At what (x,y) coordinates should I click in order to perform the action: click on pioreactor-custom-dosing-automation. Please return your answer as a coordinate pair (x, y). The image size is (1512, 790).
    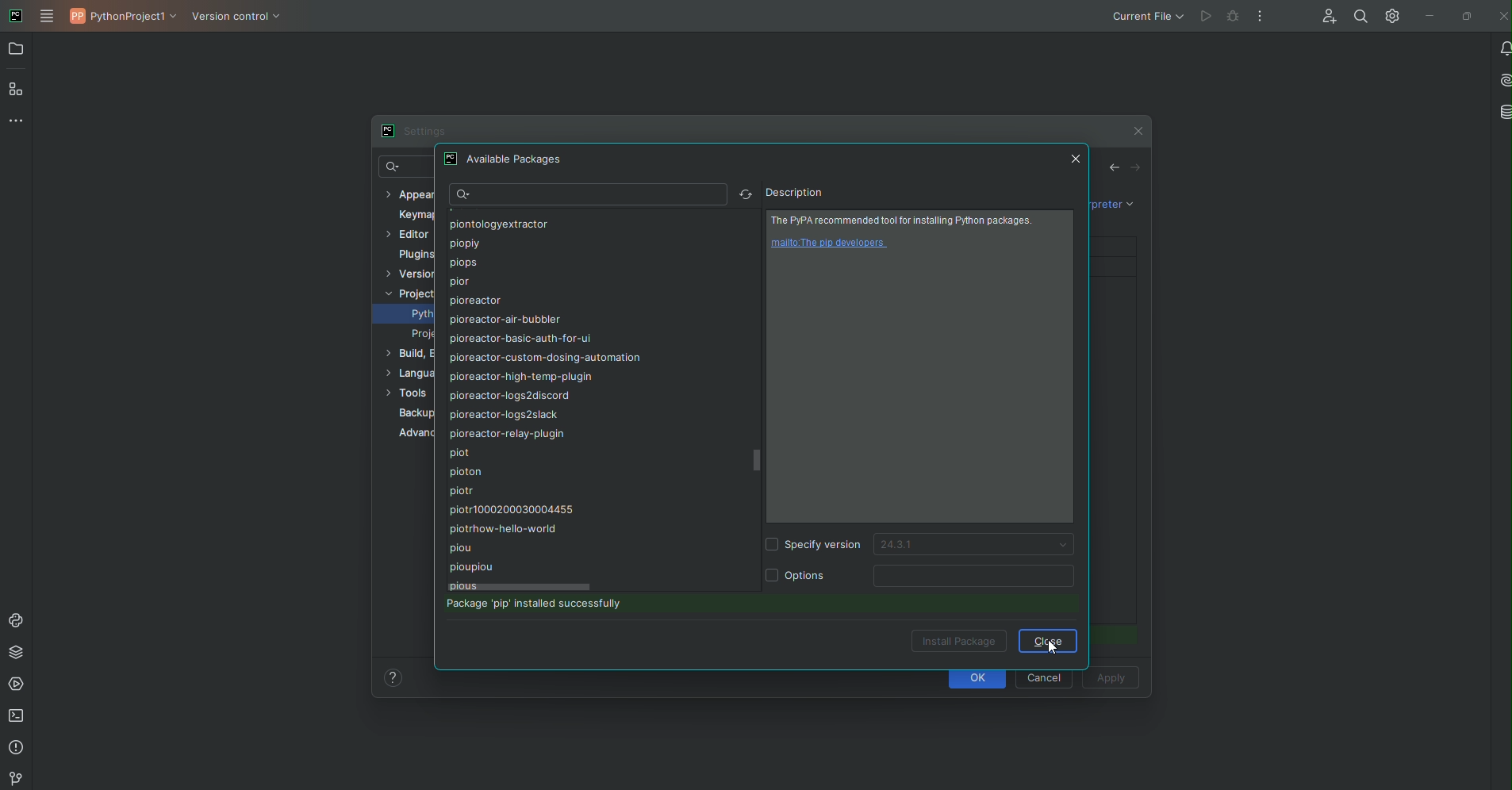
    Looking at the image, I should click on (546, 357).